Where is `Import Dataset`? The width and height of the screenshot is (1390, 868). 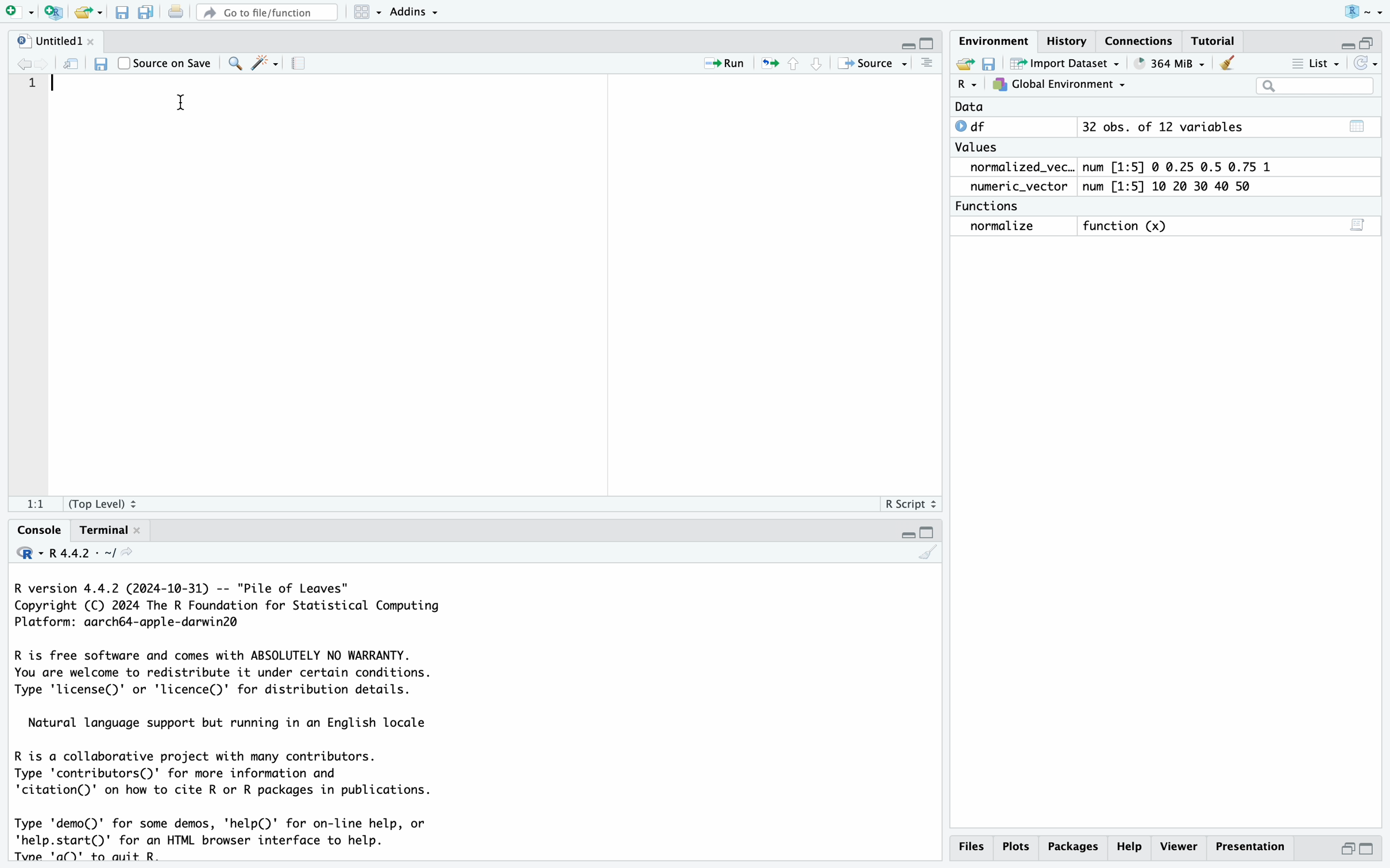 Import Dataset is located at coordinates (1068, 63).